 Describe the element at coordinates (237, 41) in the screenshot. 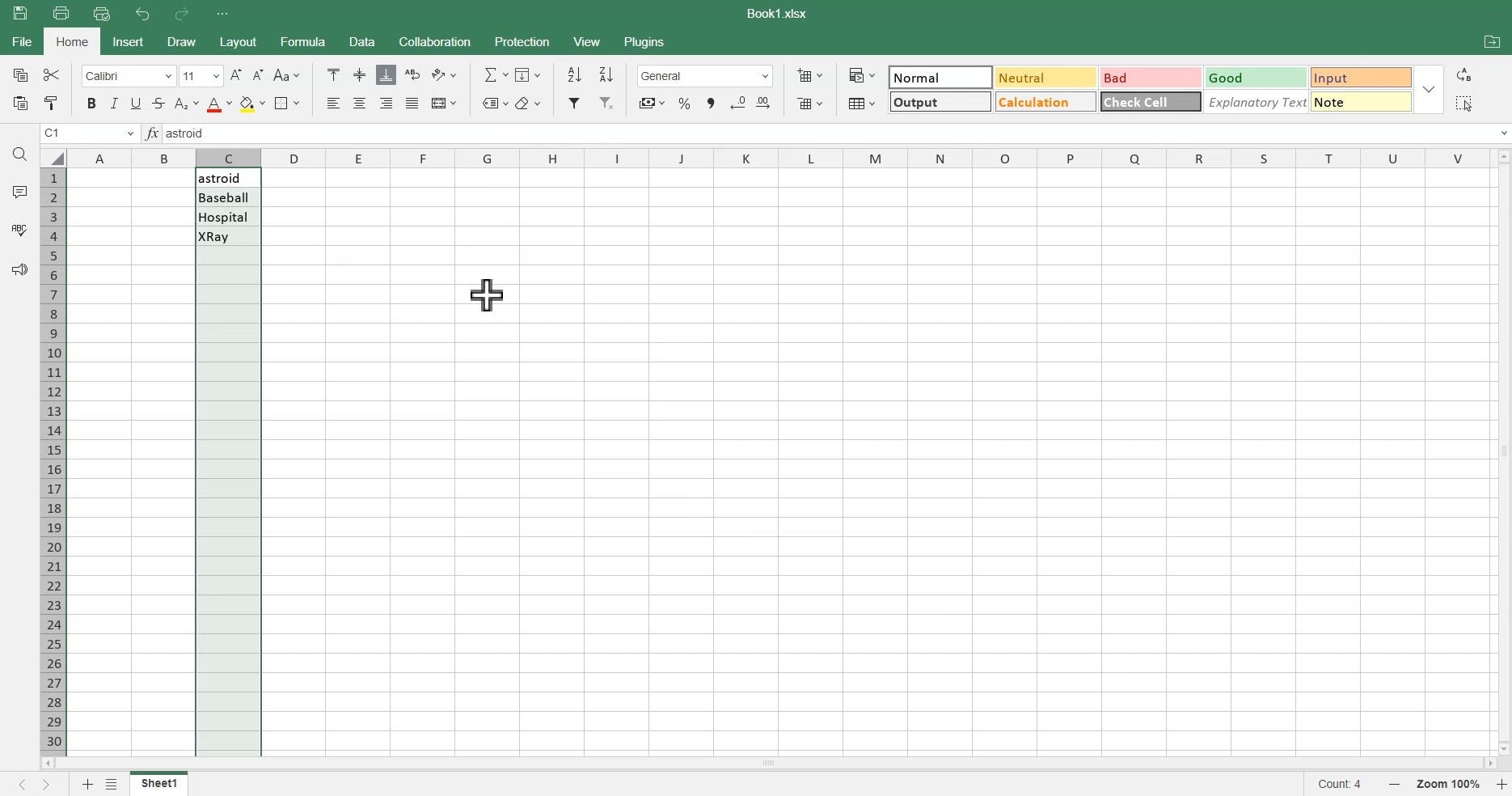

I see `Layout` at that location.